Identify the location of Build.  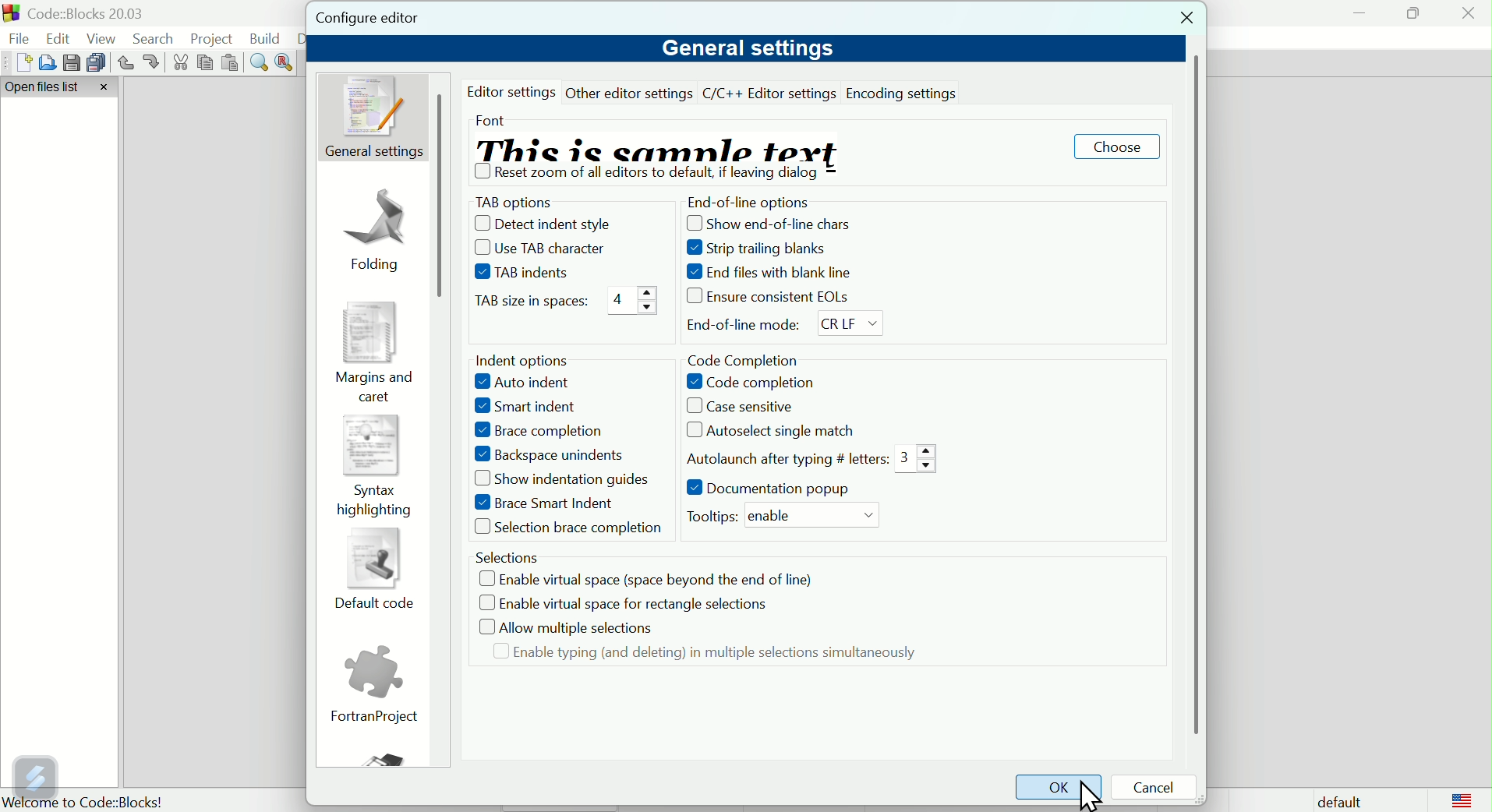
(266, 38).